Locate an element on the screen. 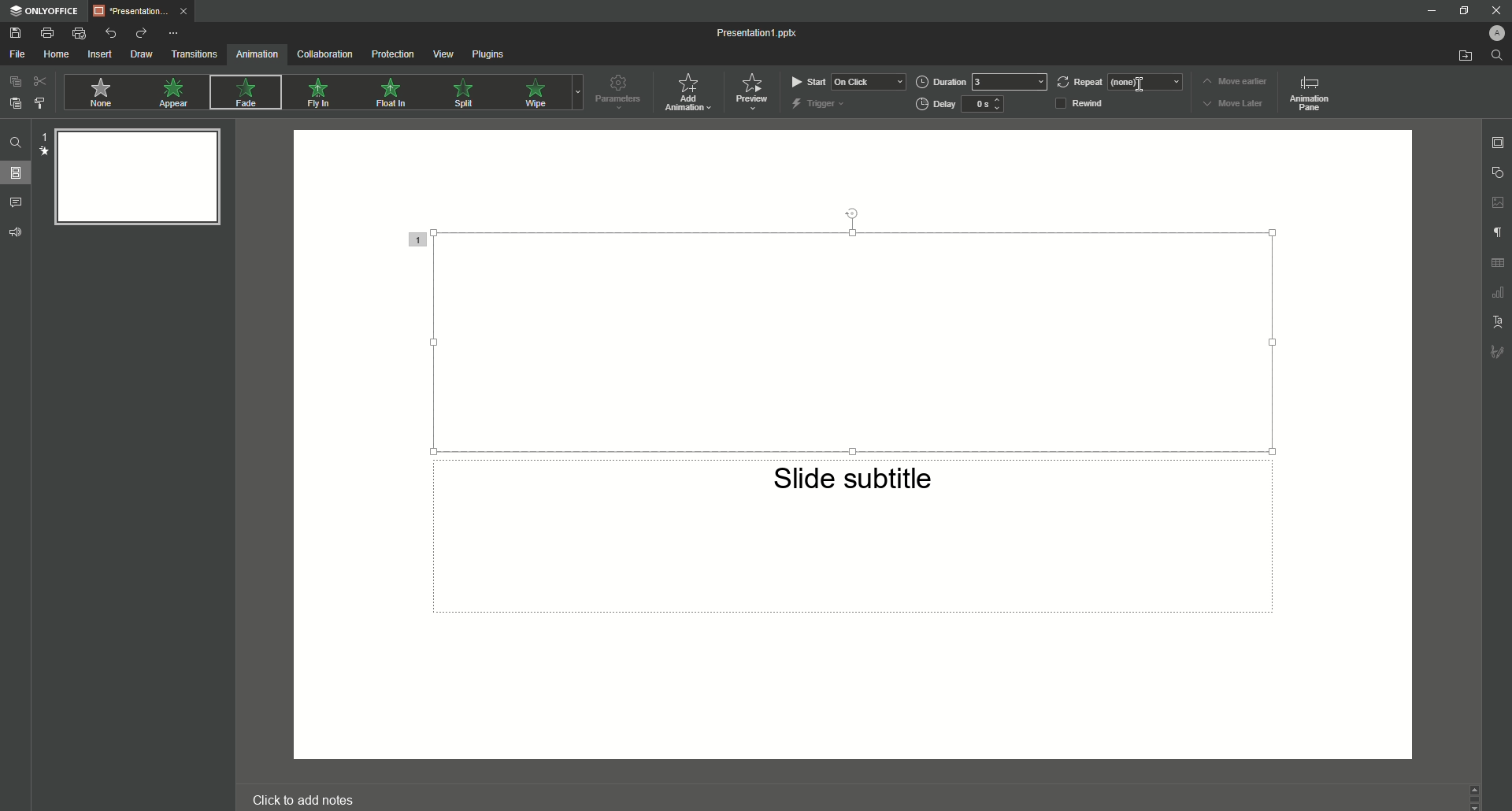  Move earlier is located at coordinates (1234, 81).